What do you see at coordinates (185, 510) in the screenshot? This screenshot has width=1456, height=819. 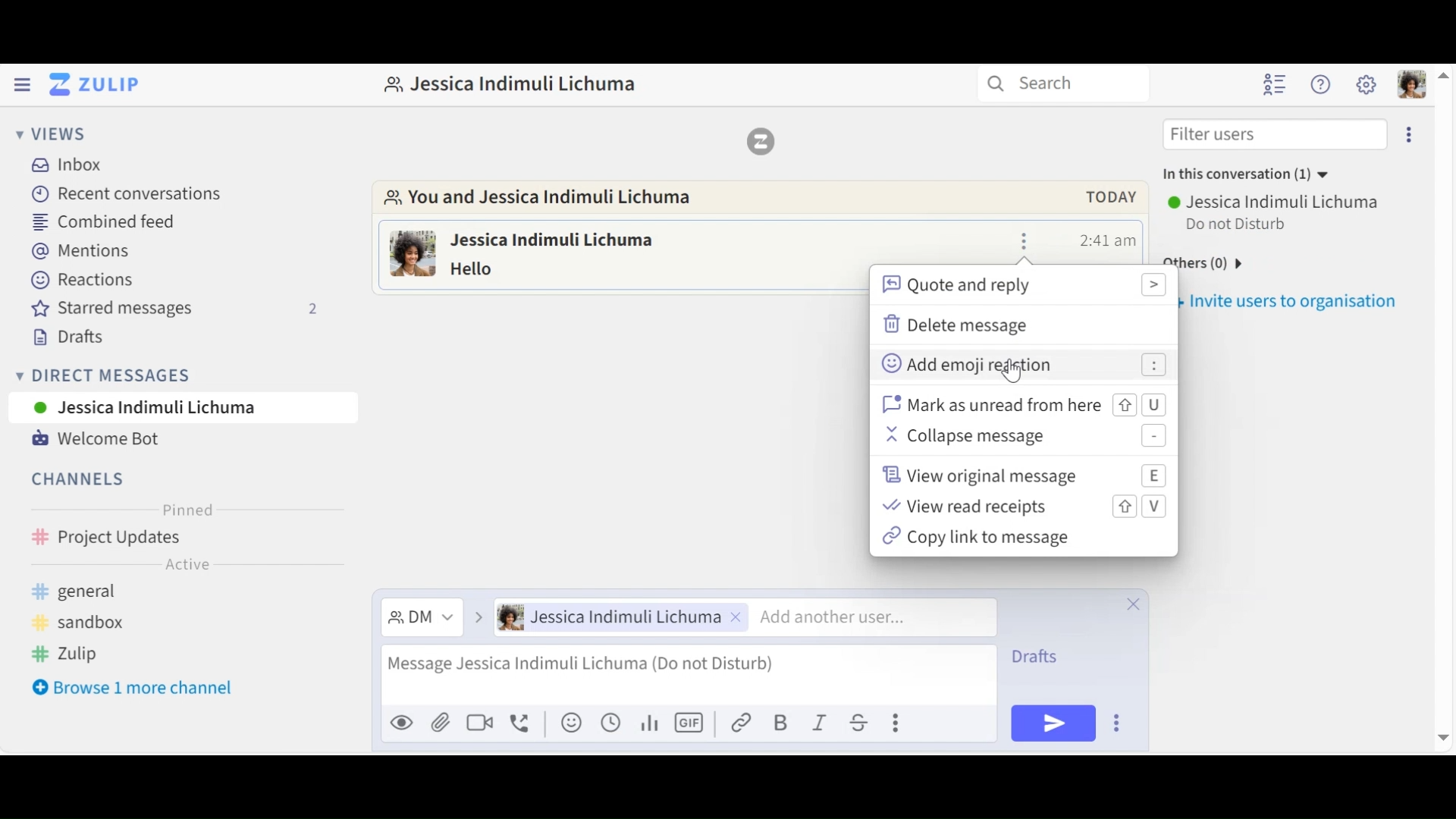 I see `Pinned` at bounding box center [185, 510].